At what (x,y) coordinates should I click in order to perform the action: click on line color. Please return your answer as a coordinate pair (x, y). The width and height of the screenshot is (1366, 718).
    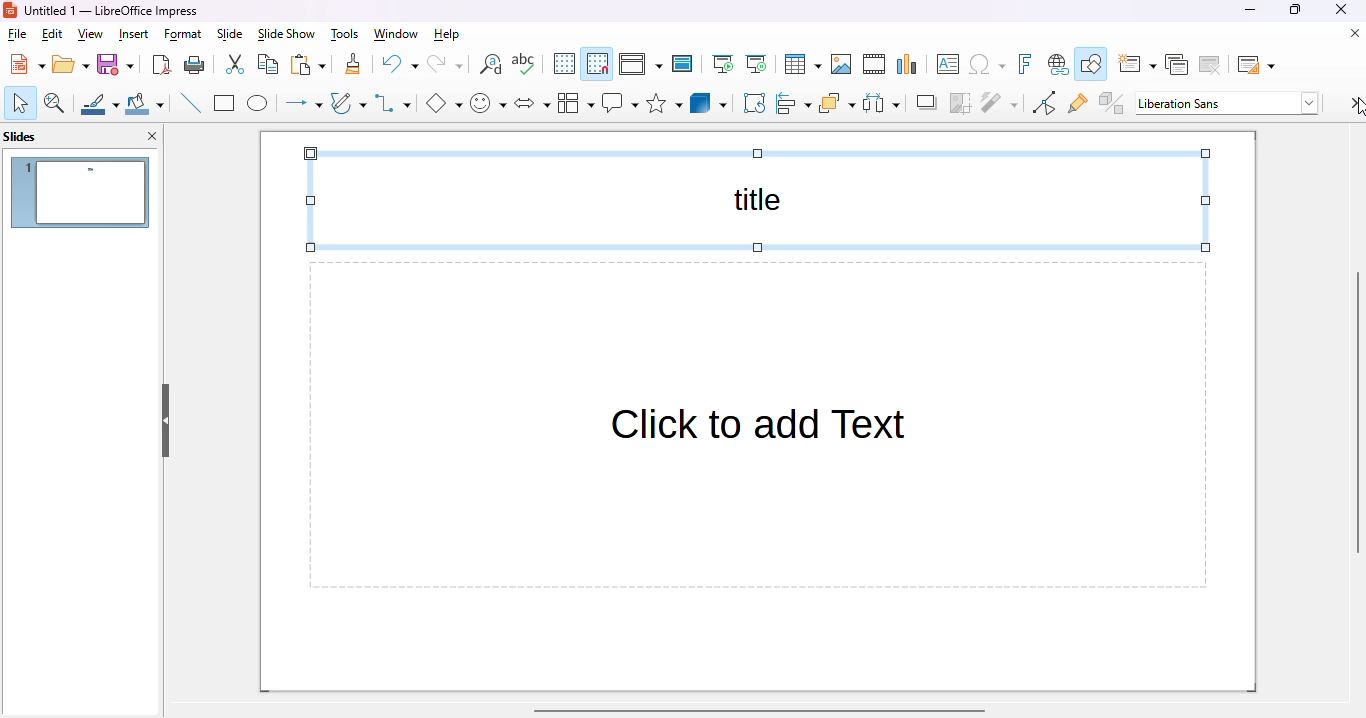
    Looking at the image, I should click on (99, 103).